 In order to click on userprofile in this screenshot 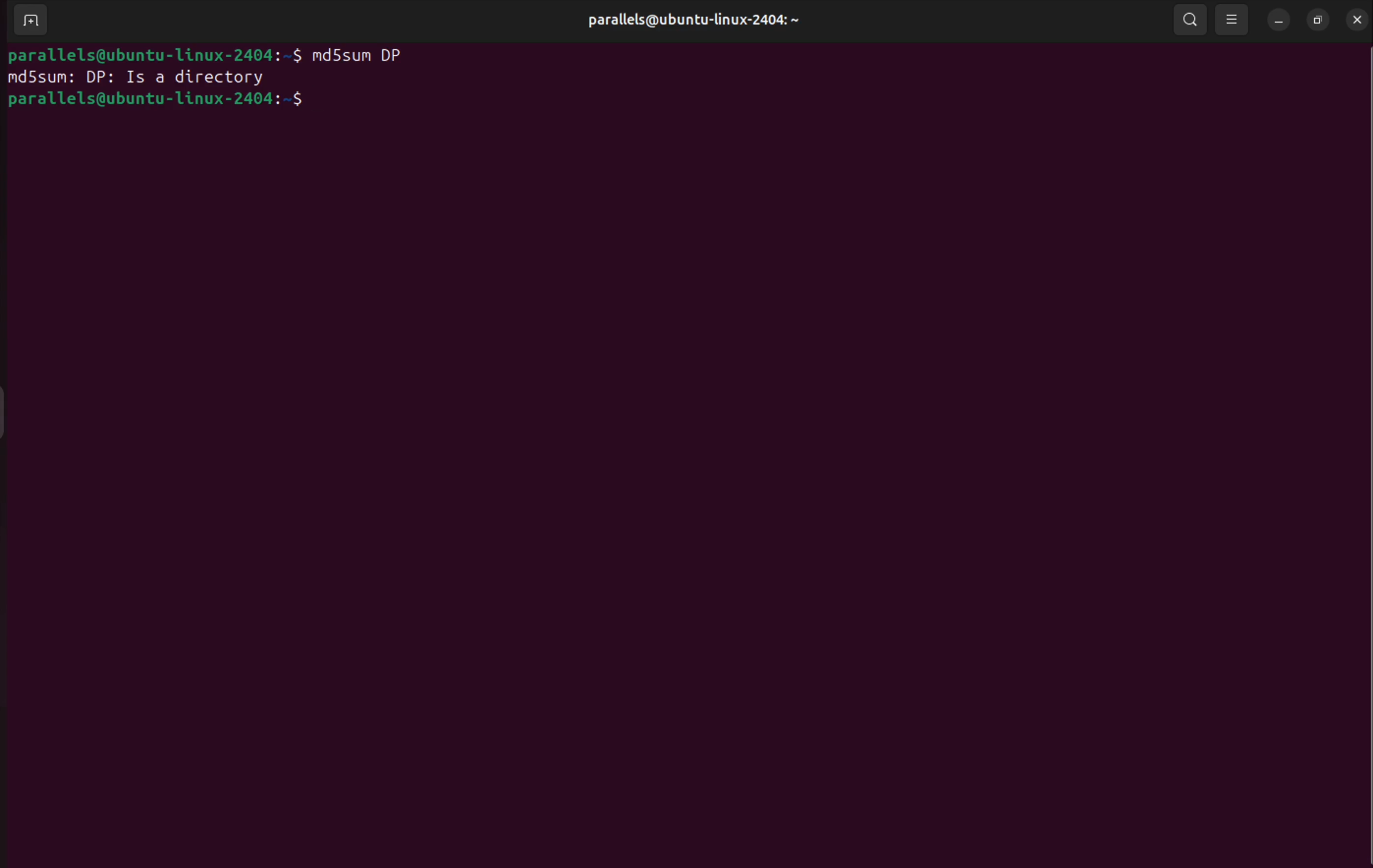, I will do `click(698, 21)`.